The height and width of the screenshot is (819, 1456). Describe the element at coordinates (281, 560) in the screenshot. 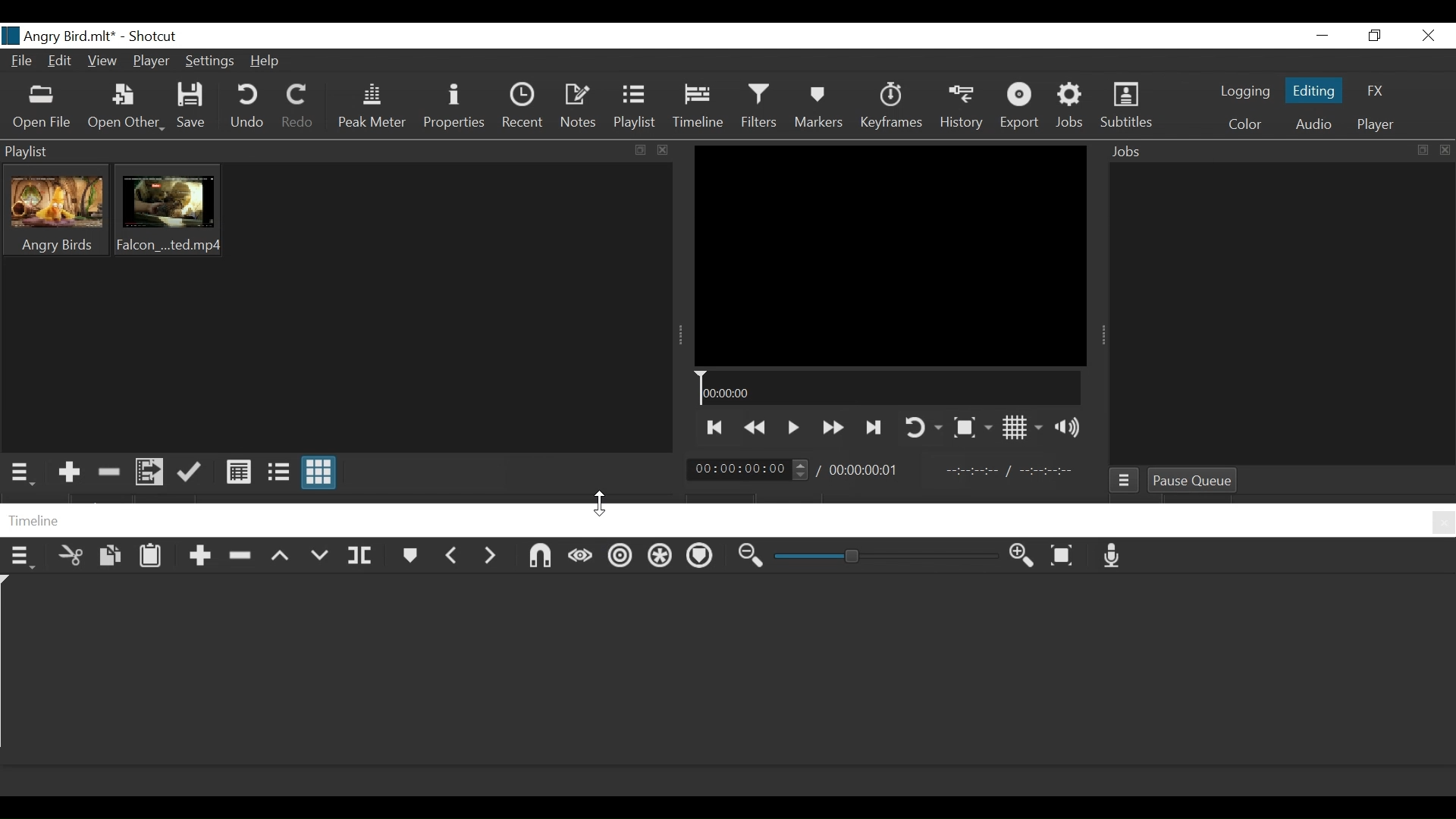

I see `Lift` at that location.